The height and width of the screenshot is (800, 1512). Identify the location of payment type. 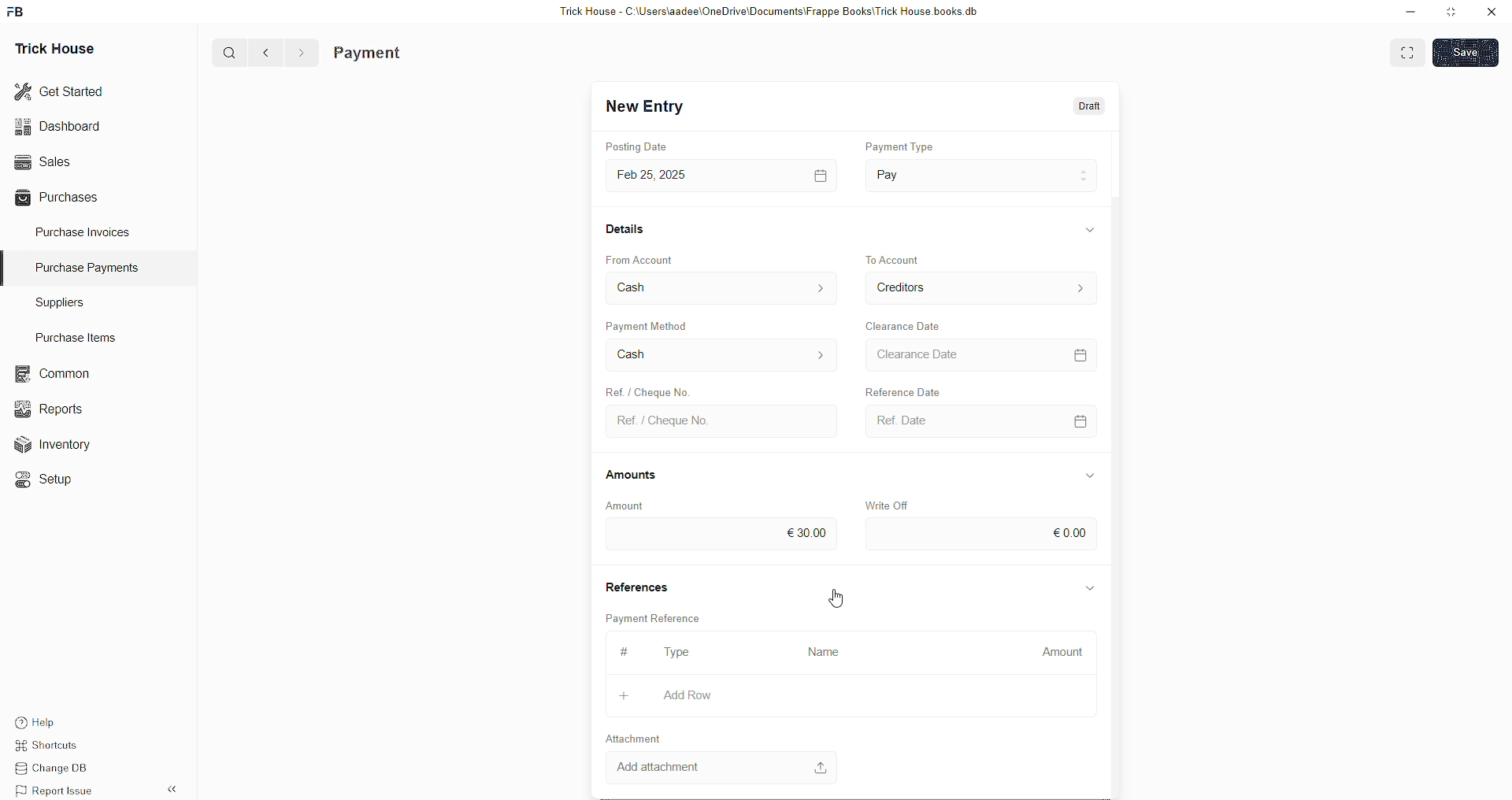
(909, 147).